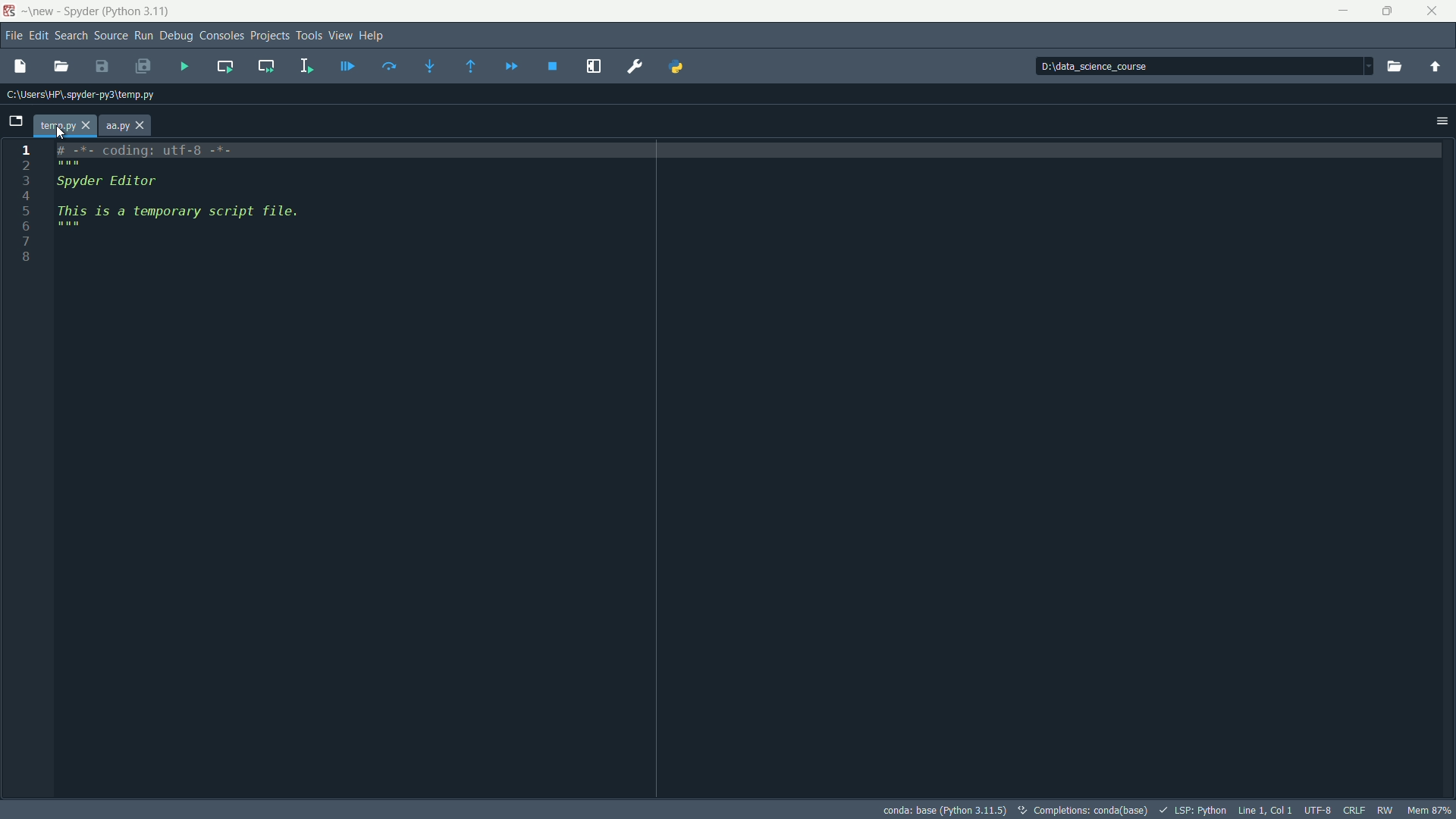 The height and width of the screenshot is (819, 1456). Describe the element at coordinates (49, 259) in the screenshot. I see `8` at that location.